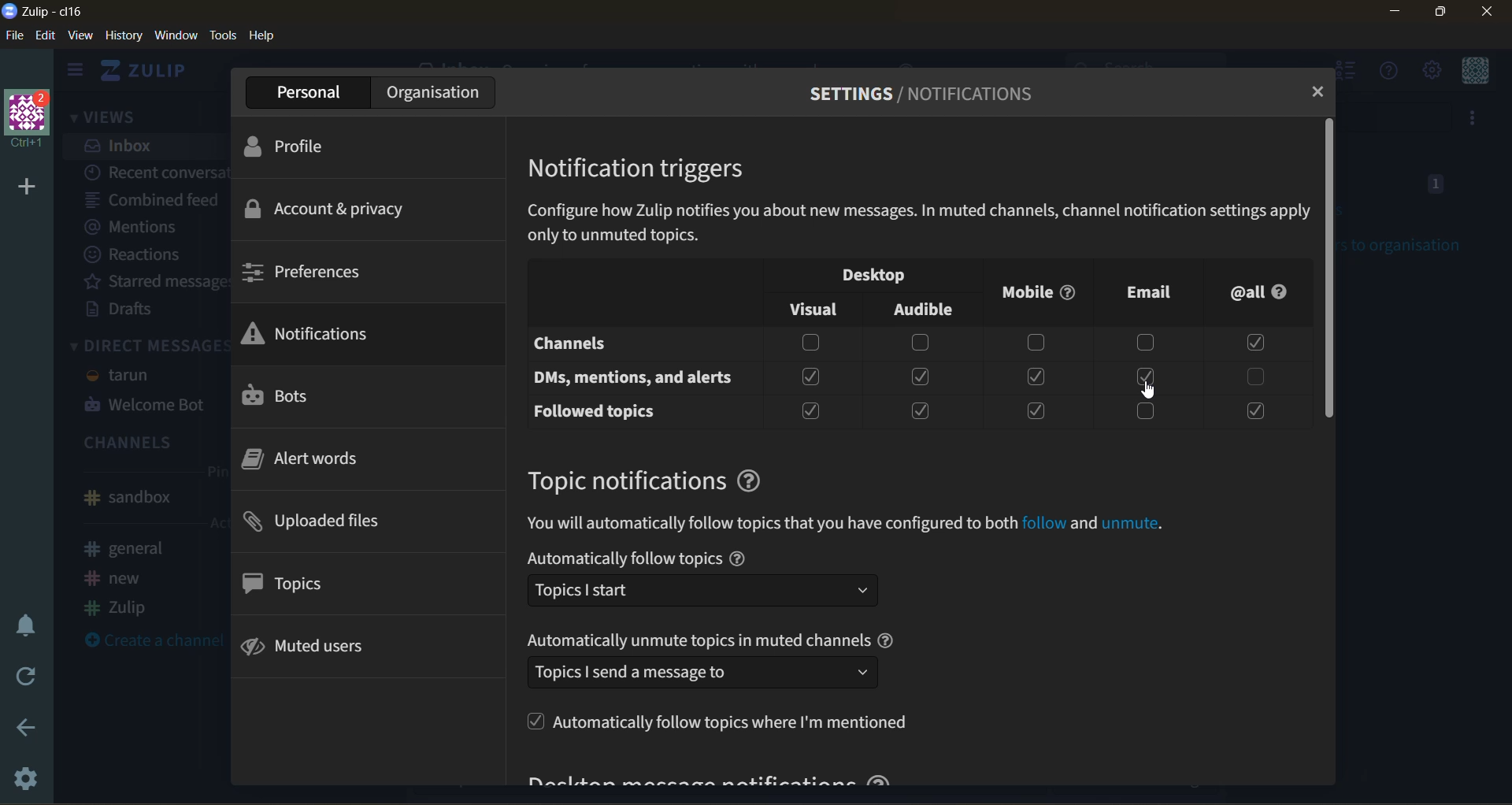 This screenshot has width=1512, height=805. Describe the element at coordinates (1038, 410) in the screenshot. I see `checkbox` at that location.